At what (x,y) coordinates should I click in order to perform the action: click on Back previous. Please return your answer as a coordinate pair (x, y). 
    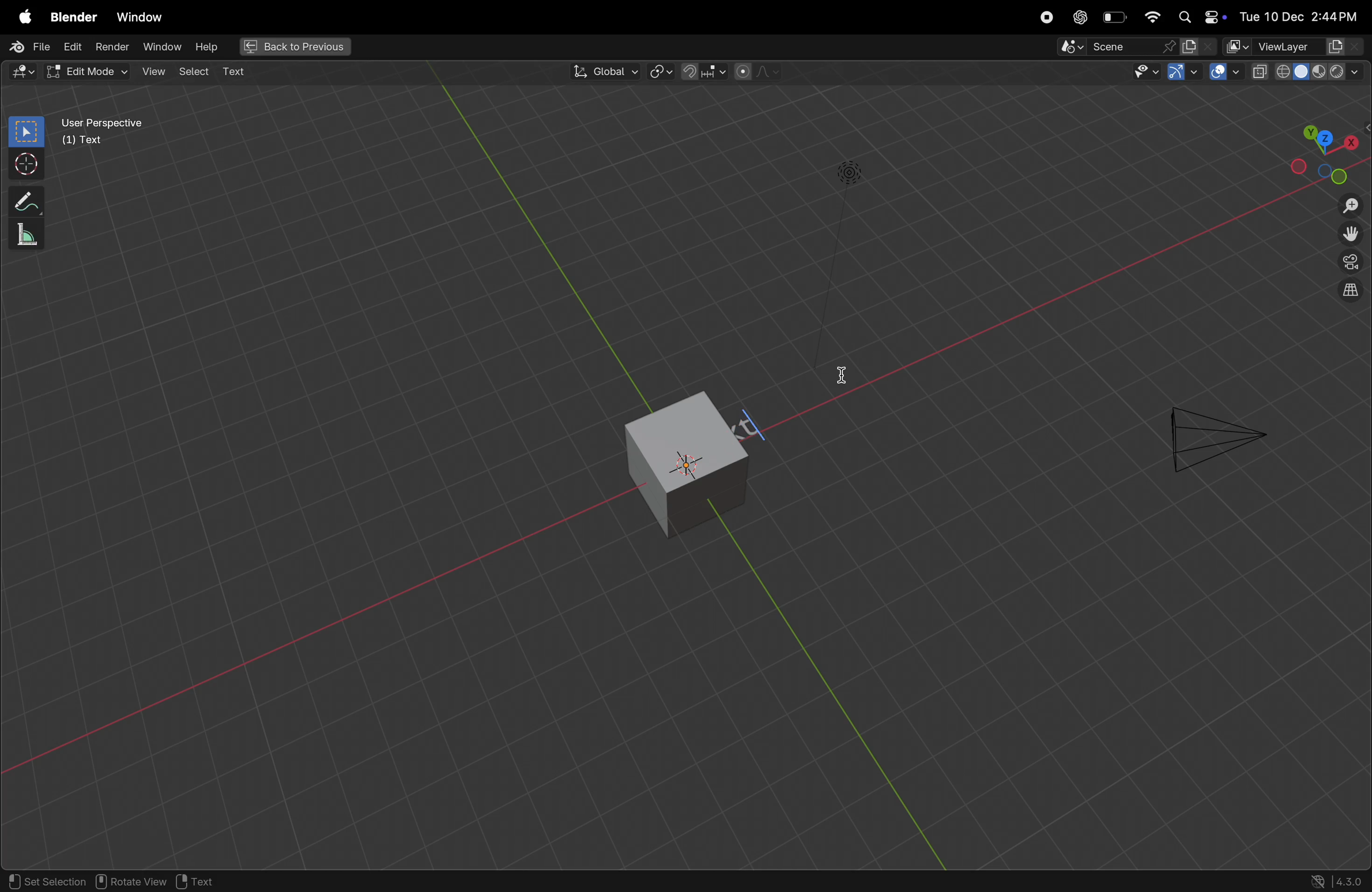
    Looking at the image, I should click on (295, 47).